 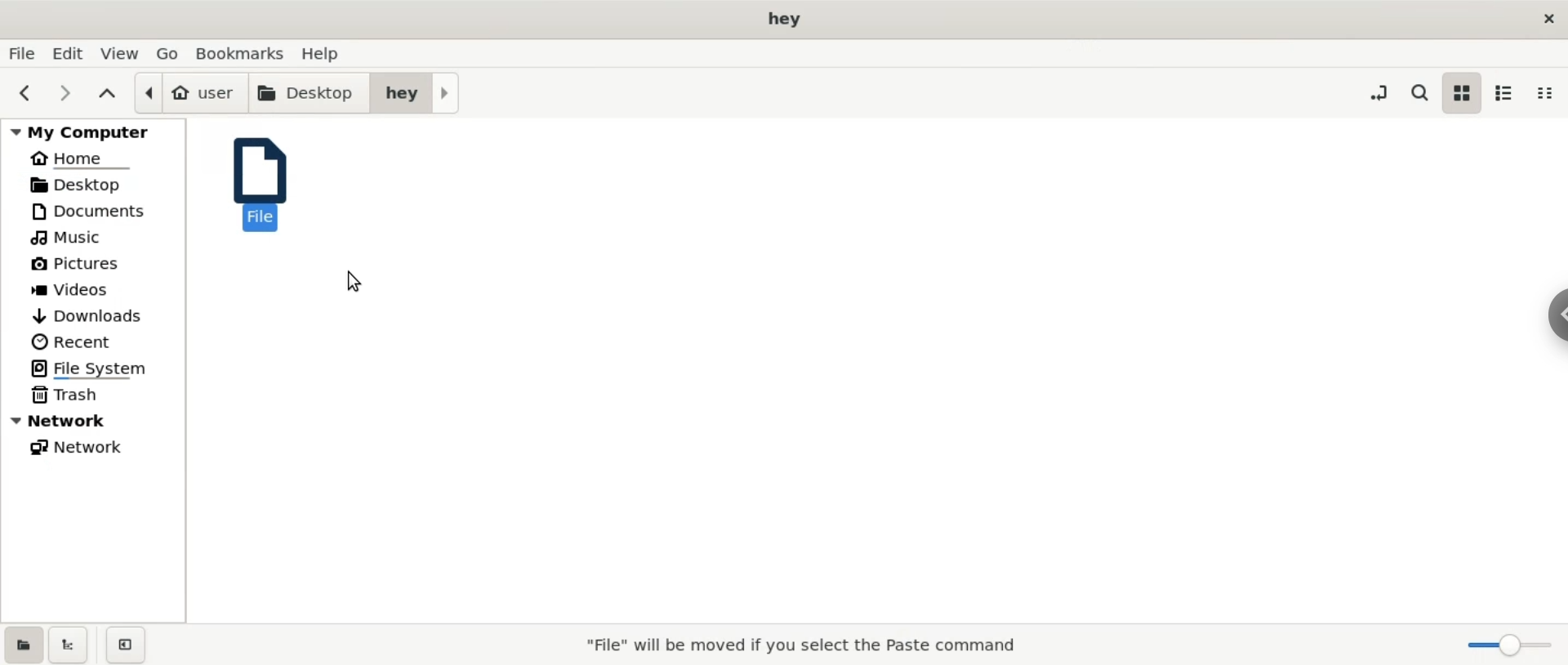 What do you see at coordinates (23, 644) in the screenshot?
I see `show places` at bounding box center [23, 644].